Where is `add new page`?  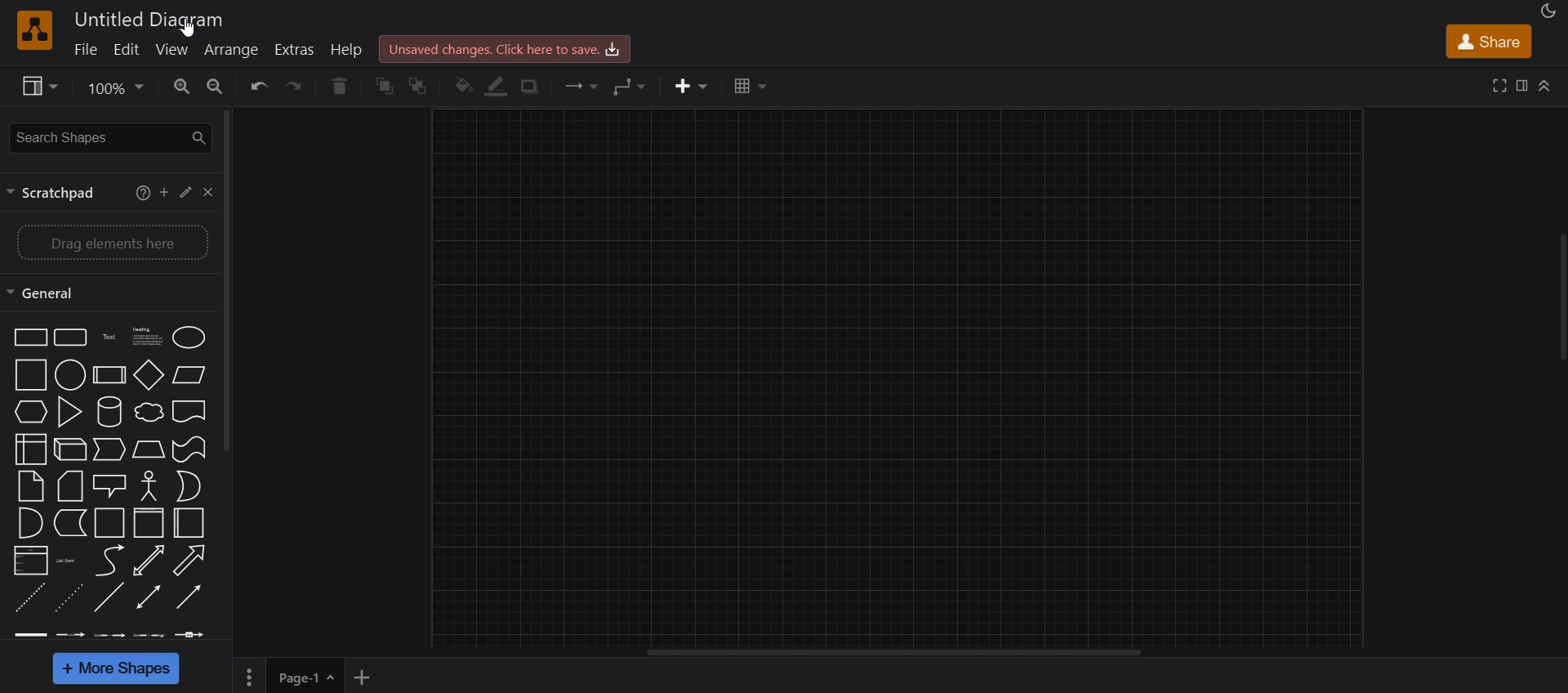
add new page is located at coordinates (367, 675).